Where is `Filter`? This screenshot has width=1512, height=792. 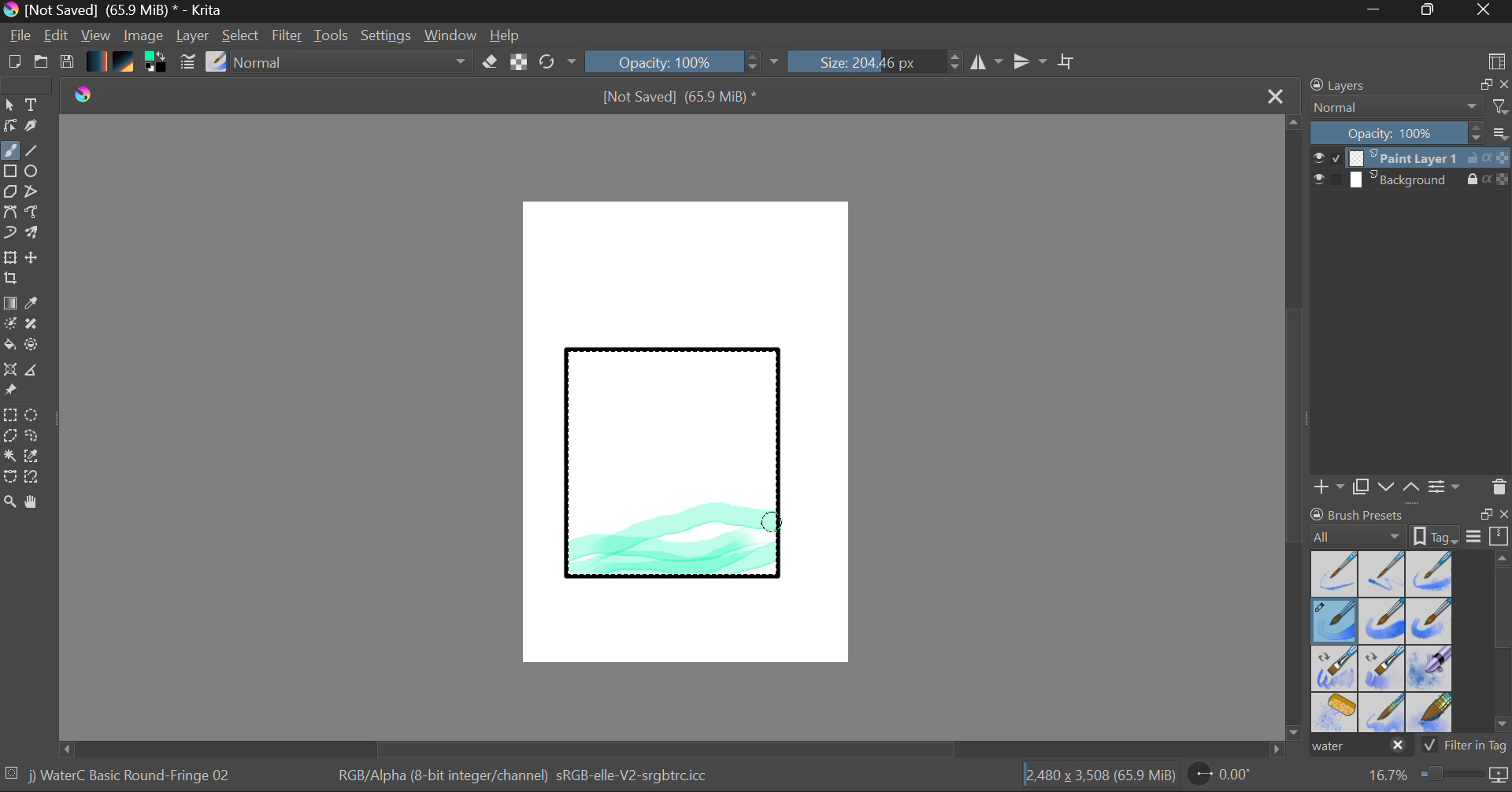
Filter is located at coordinates (289, 38).